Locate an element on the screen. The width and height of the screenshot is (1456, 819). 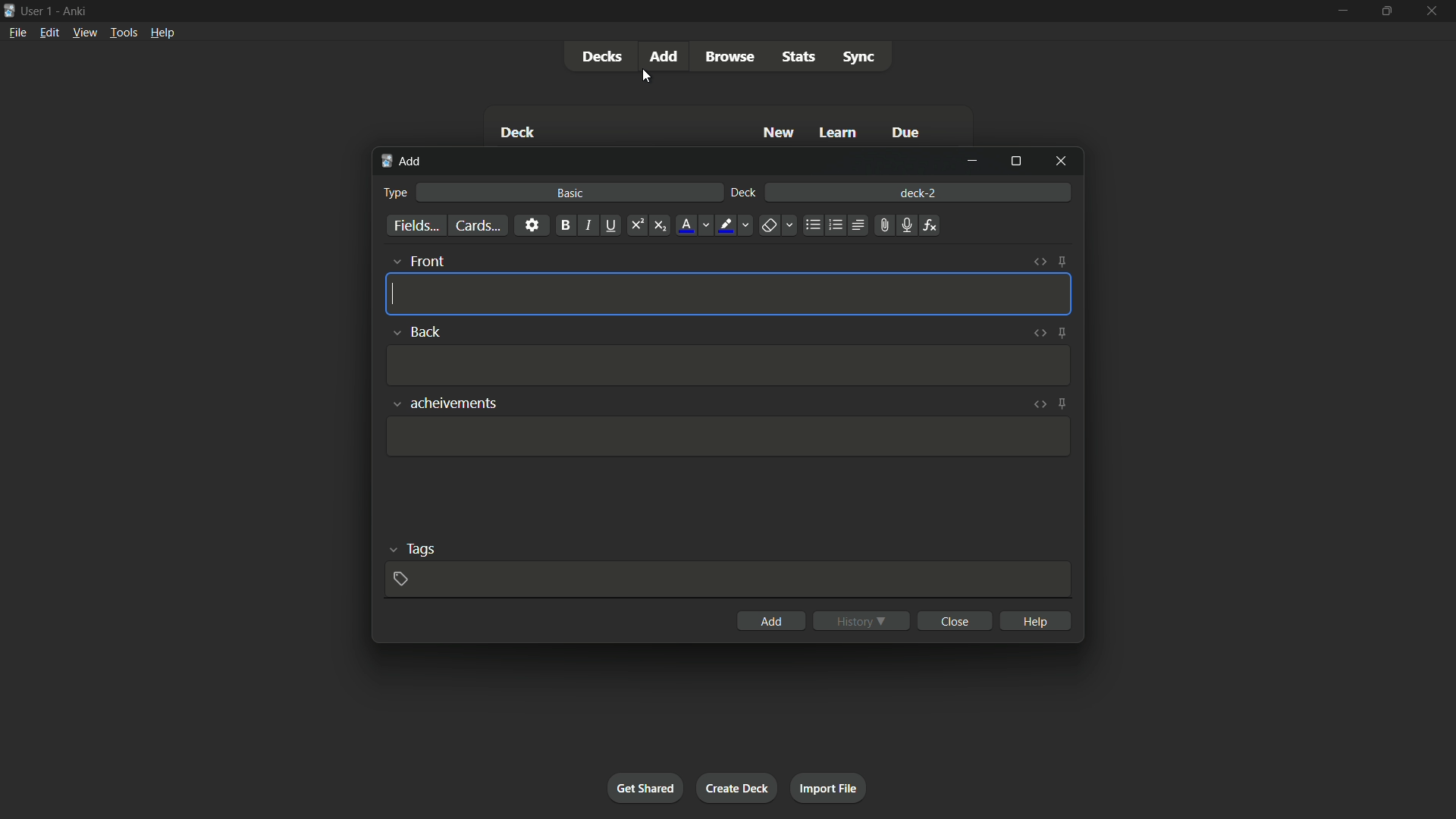
edit menu is located at coordinates (49, 33).